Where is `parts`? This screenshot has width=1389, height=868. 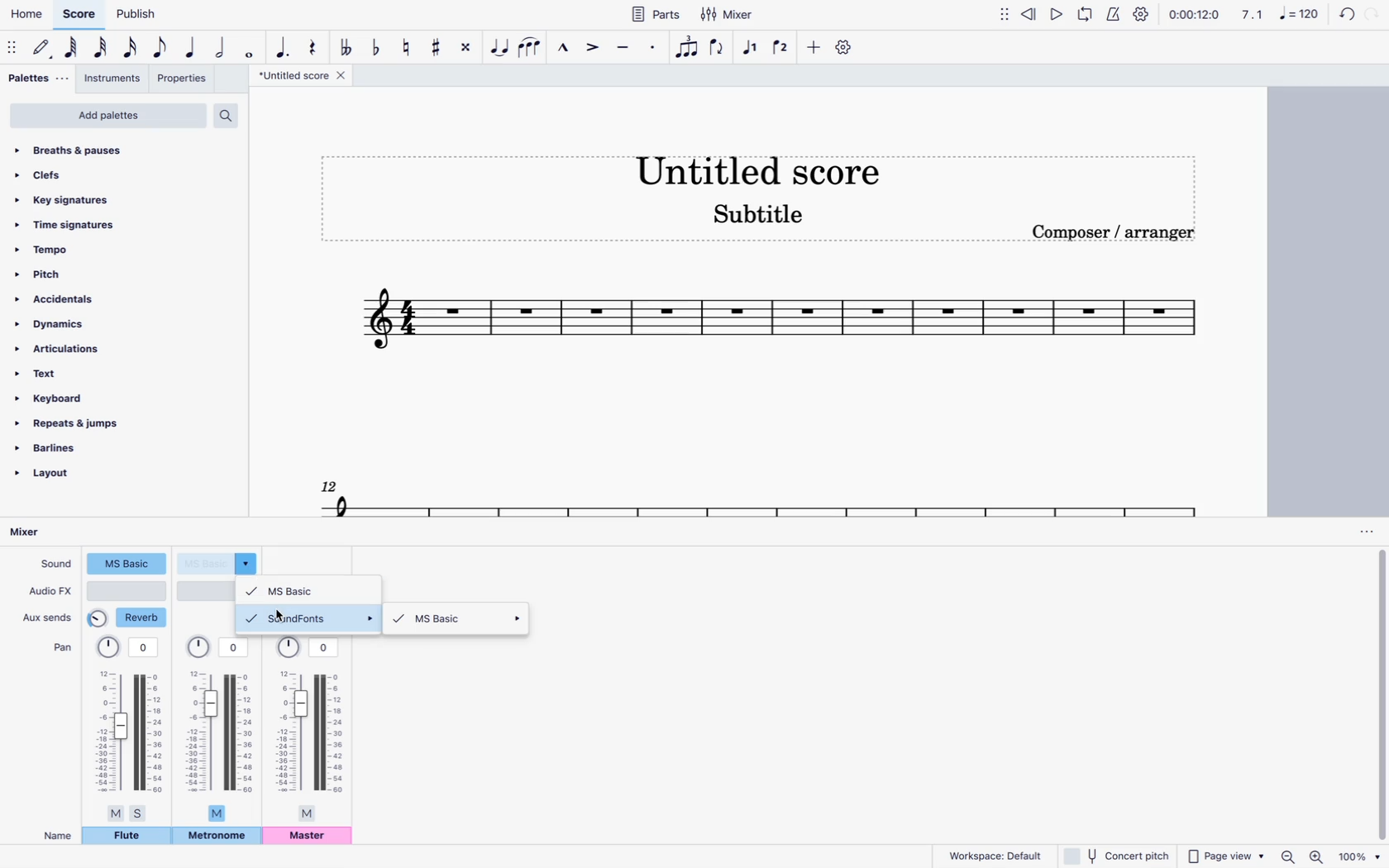 parts is located at coordinates (657, 14).